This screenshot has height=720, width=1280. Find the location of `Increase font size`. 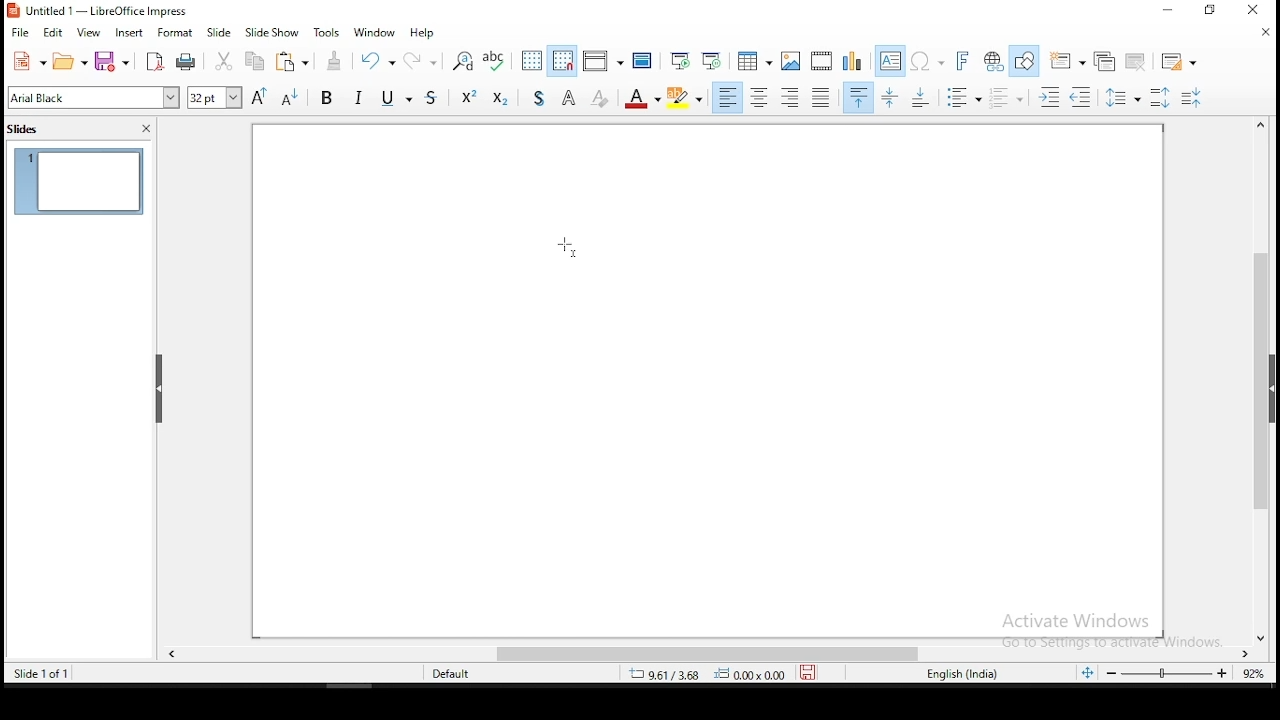

Increase font size is located at coordinates (258, 97).